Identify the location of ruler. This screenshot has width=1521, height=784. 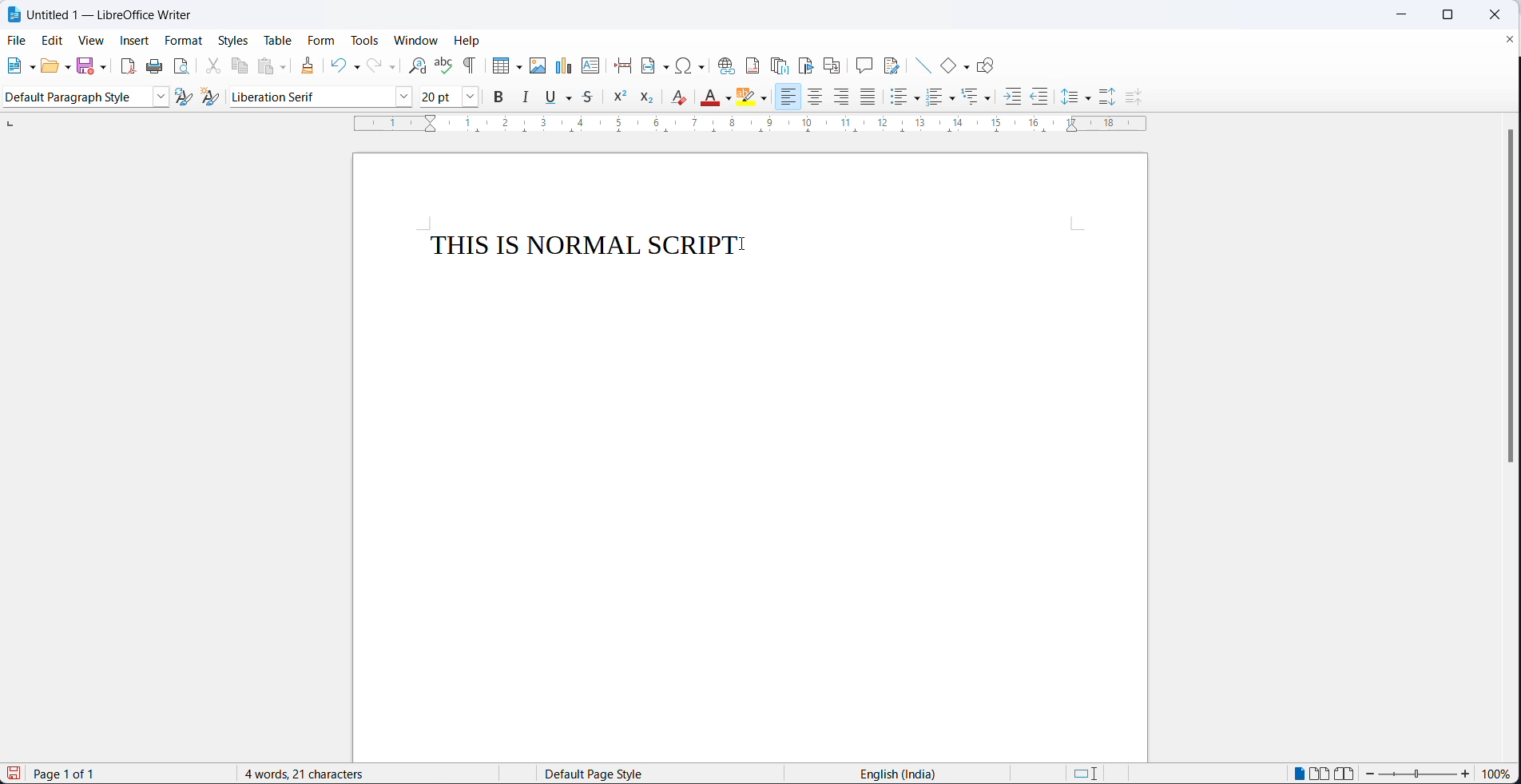
(756, 129).